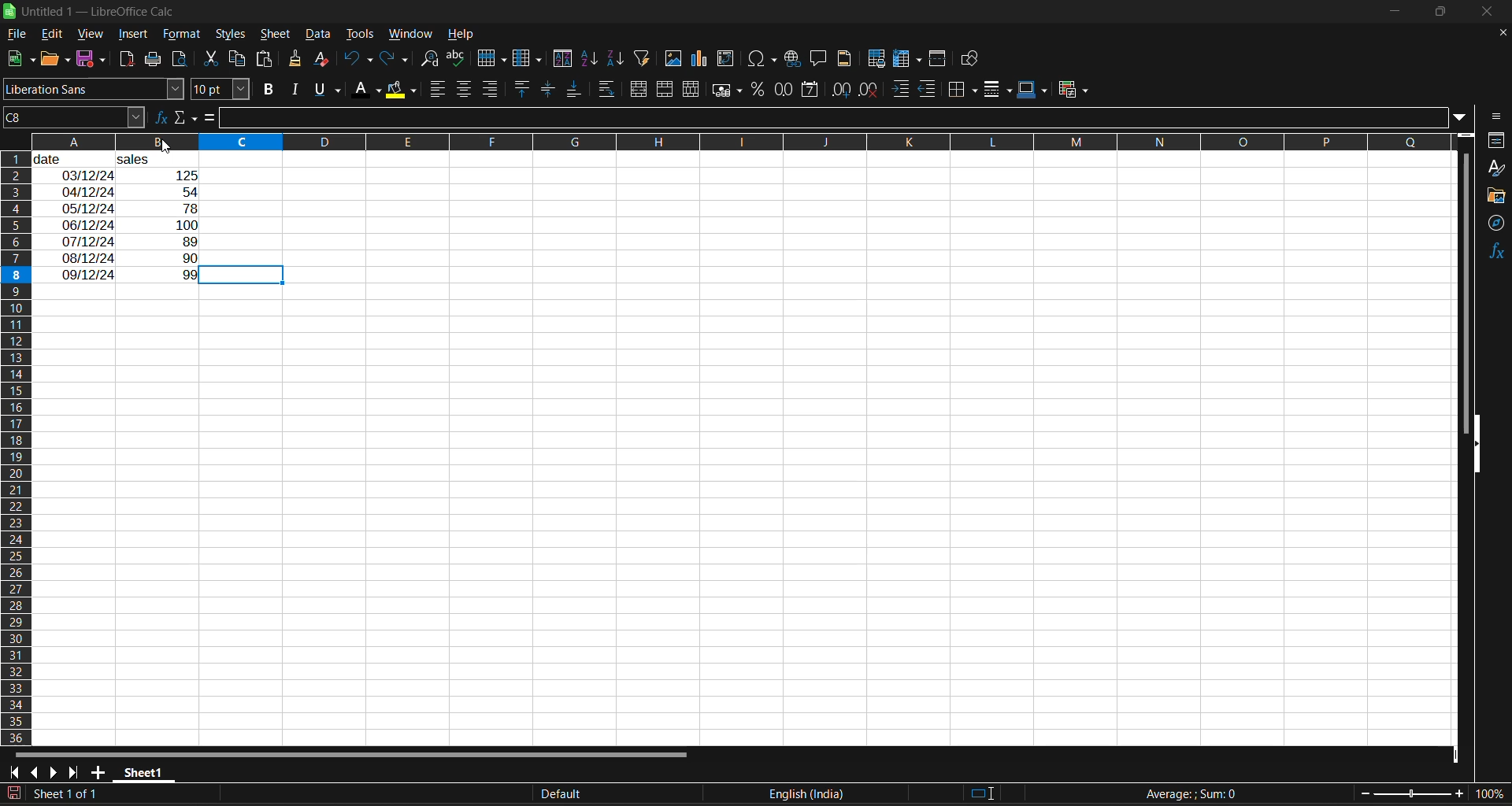  Describe the element at coordinates (183, 34) in the screenshot. I see `format` at that location.